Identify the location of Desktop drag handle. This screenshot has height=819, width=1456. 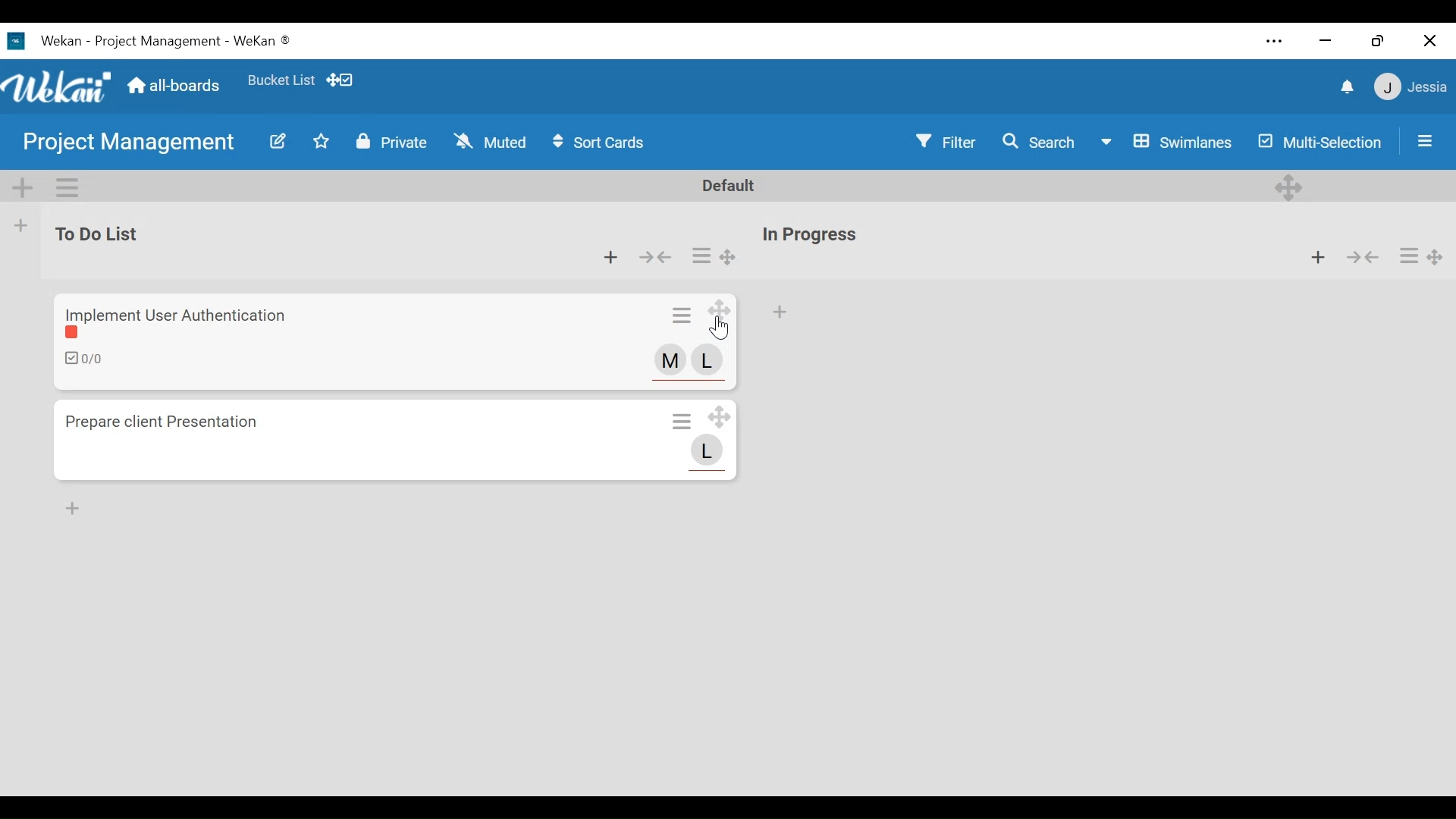
(720, 416).